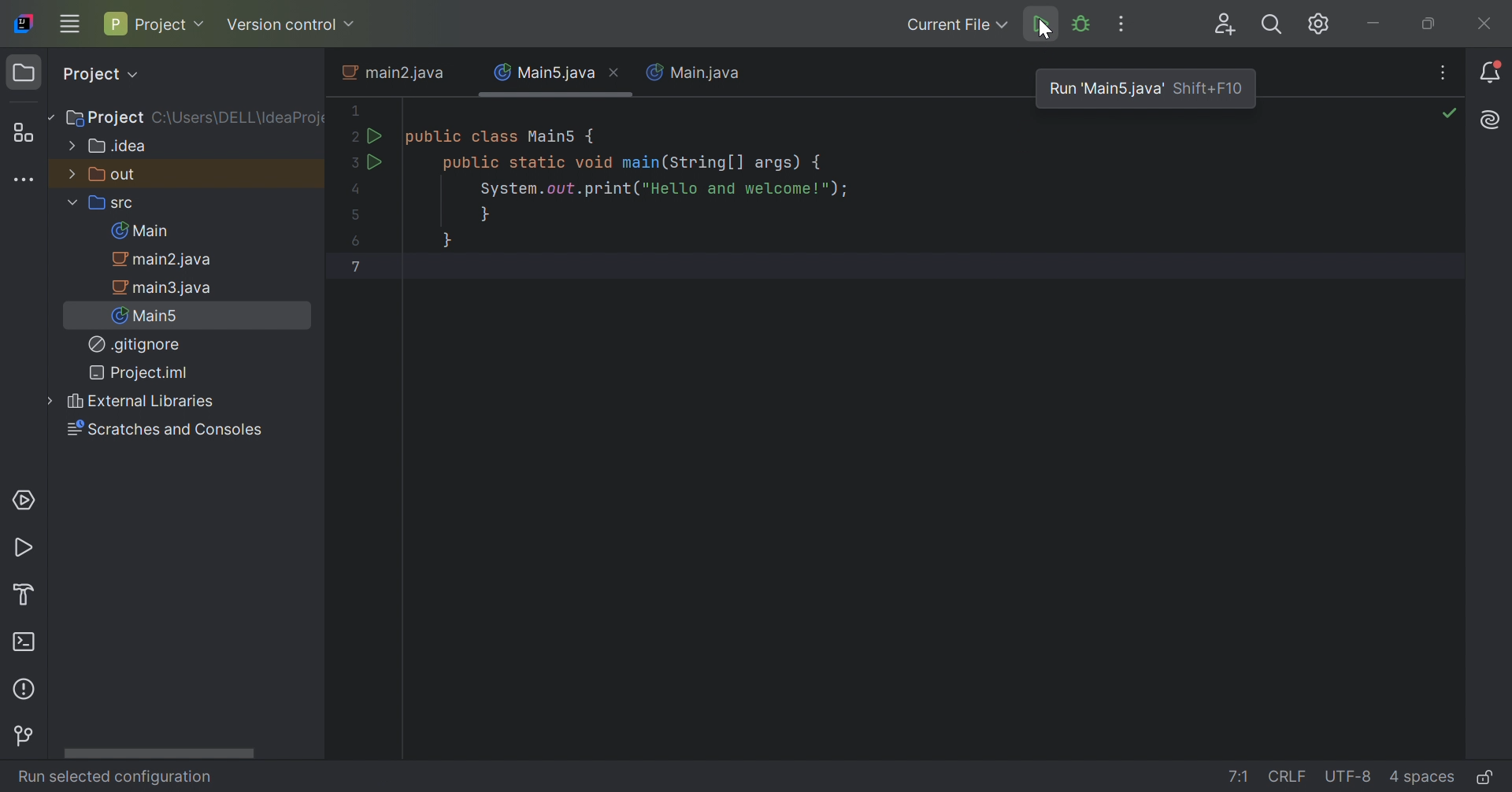 The image size is (1512, 792). I want to click on 4, so click(357, 192).